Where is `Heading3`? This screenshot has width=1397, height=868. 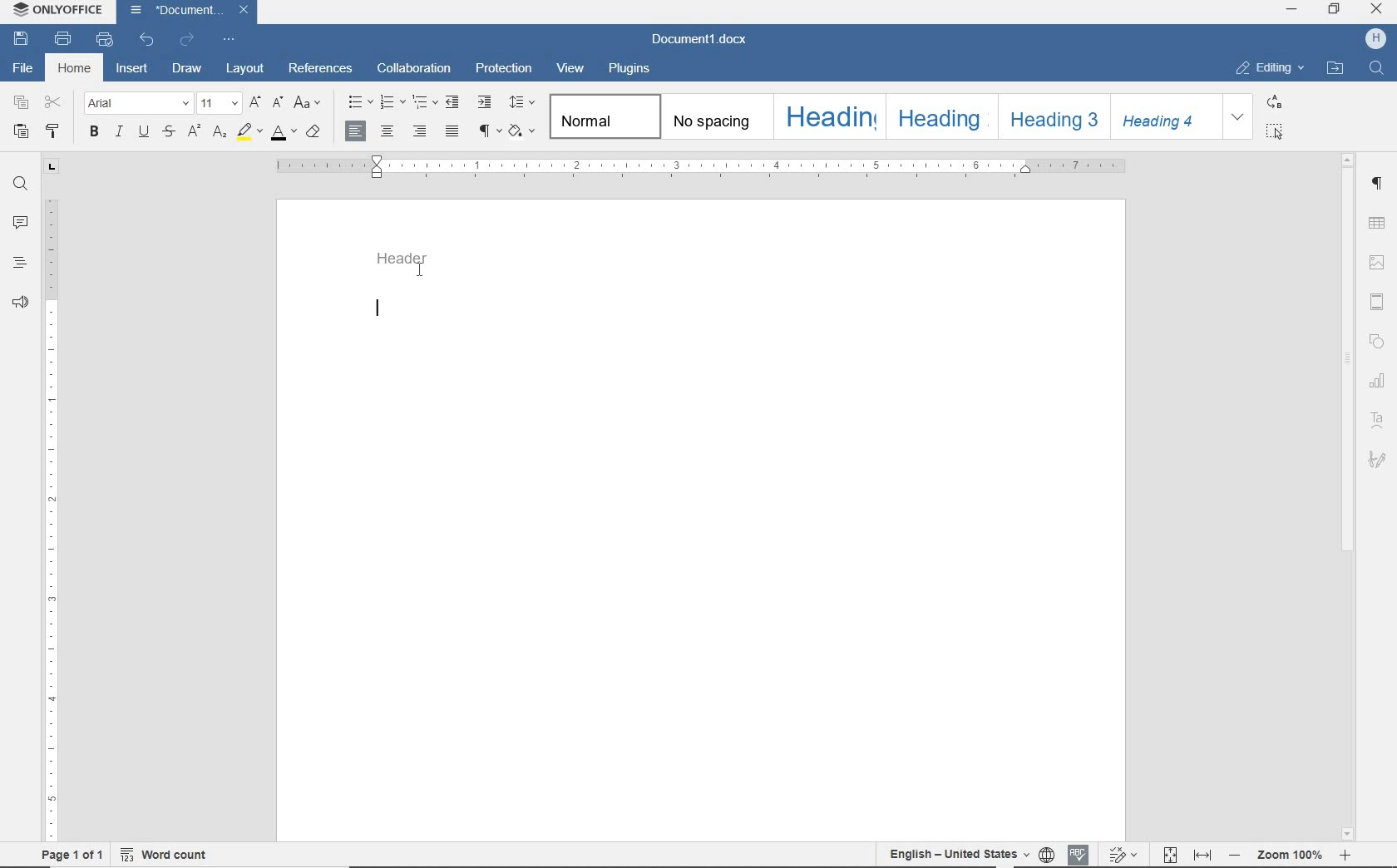
Heading3 is located at coordinates (1051, 116).